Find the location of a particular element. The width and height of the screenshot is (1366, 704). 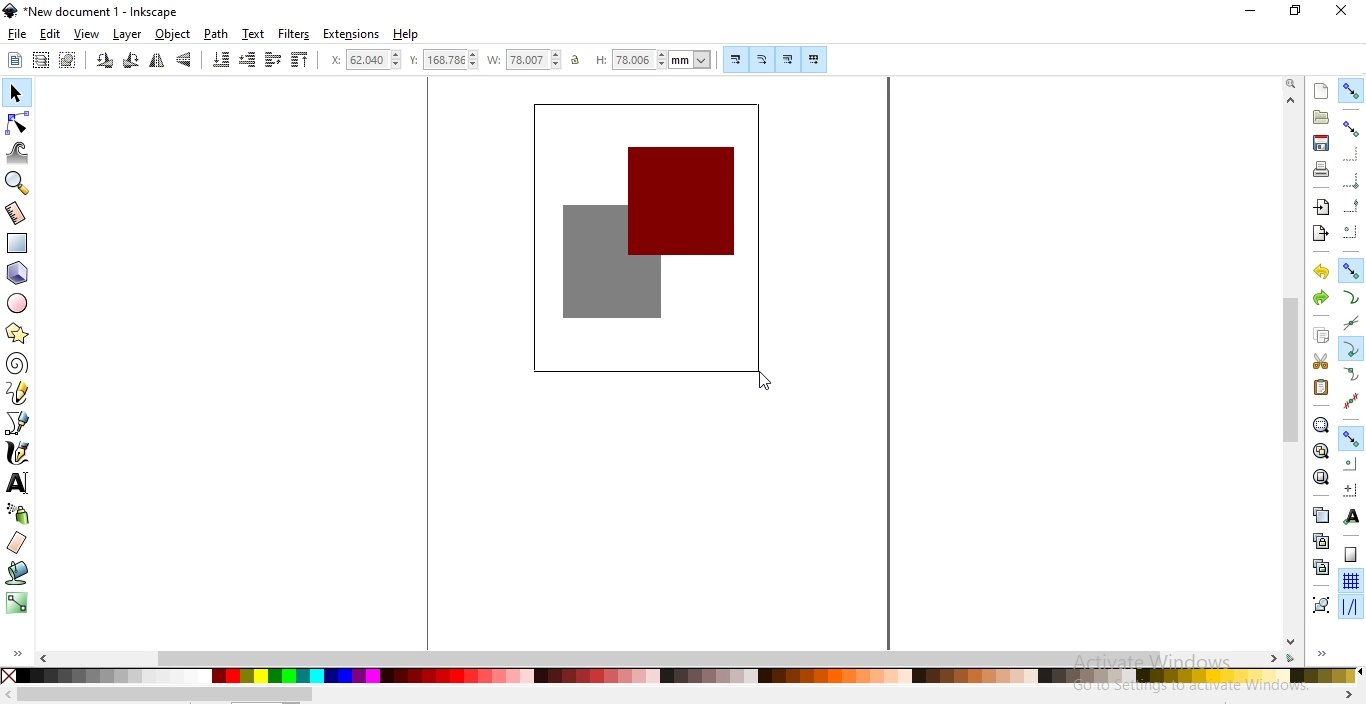

create and edit gradient lines is located at coordinates (15, 601).